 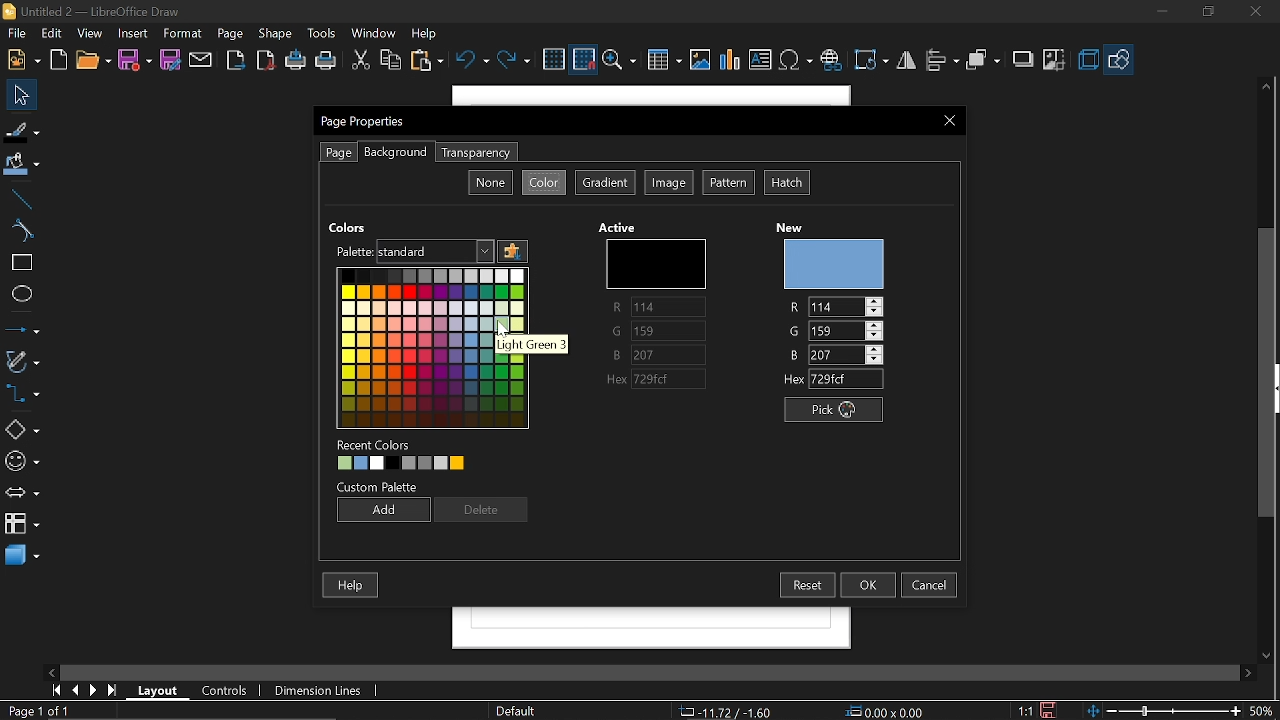 I want to click on CLose, so click(x=1258, y=14).